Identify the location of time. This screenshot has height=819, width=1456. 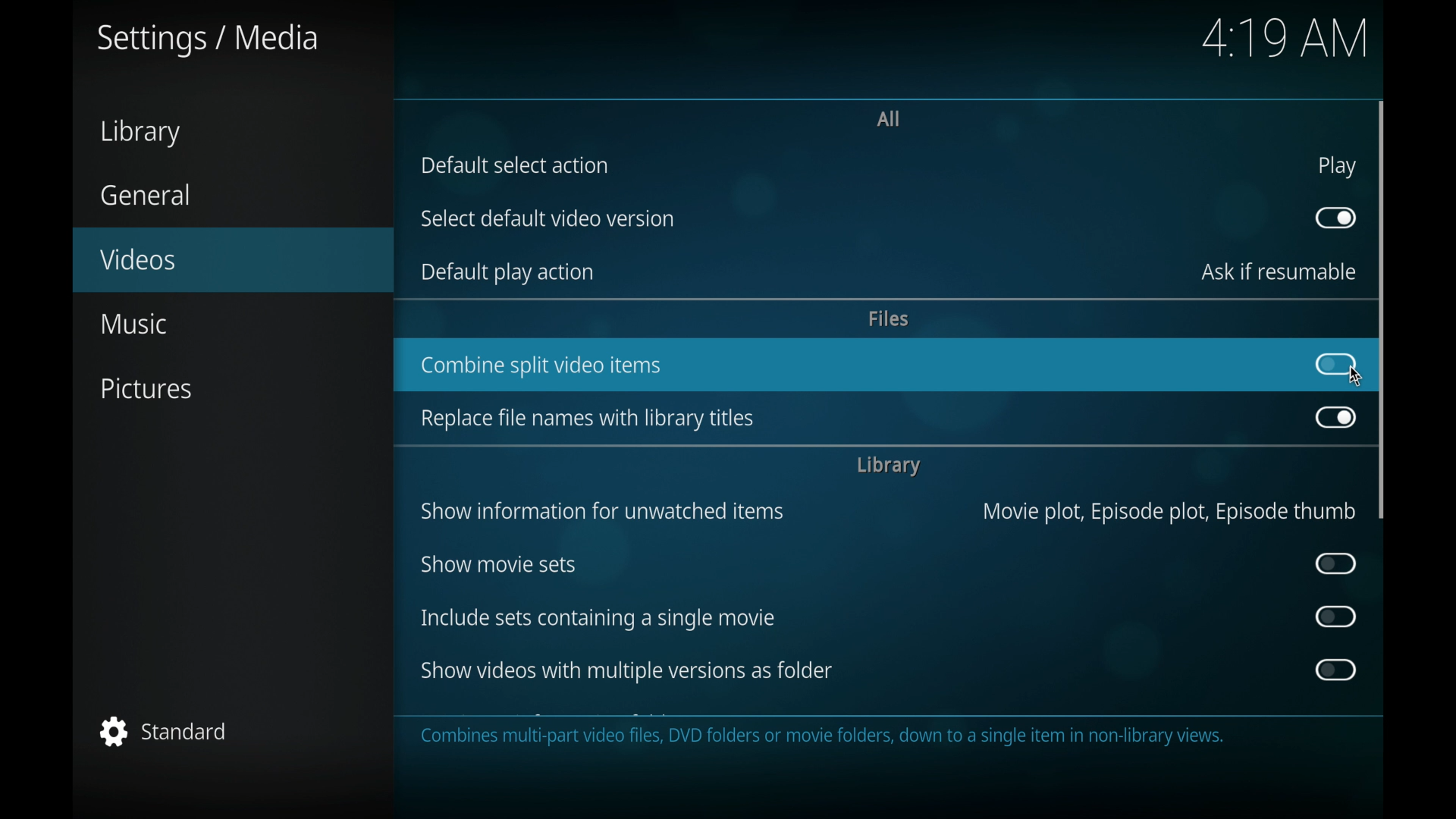
(1288, 39).